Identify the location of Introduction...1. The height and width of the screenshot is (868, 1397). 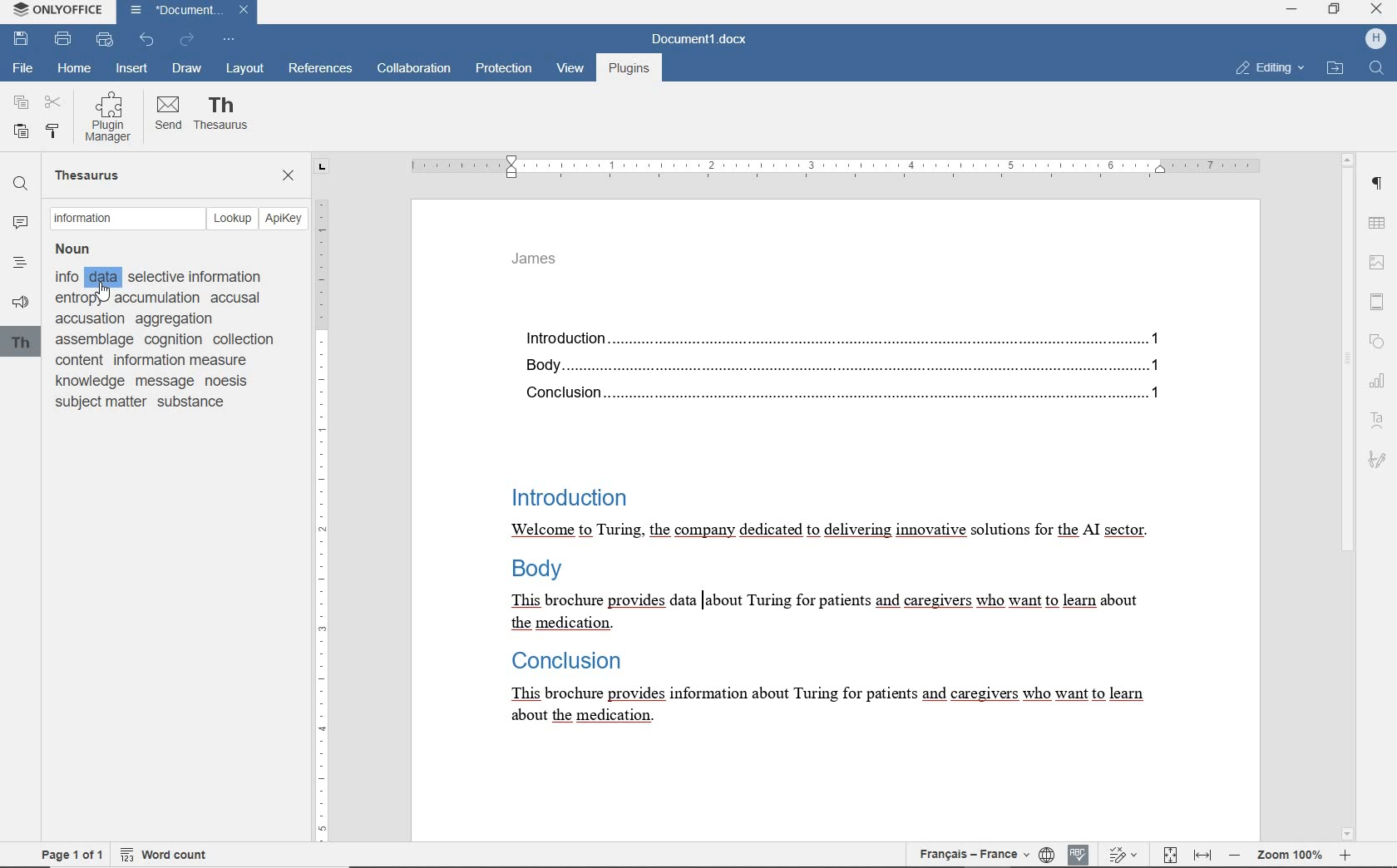
(847, 336).